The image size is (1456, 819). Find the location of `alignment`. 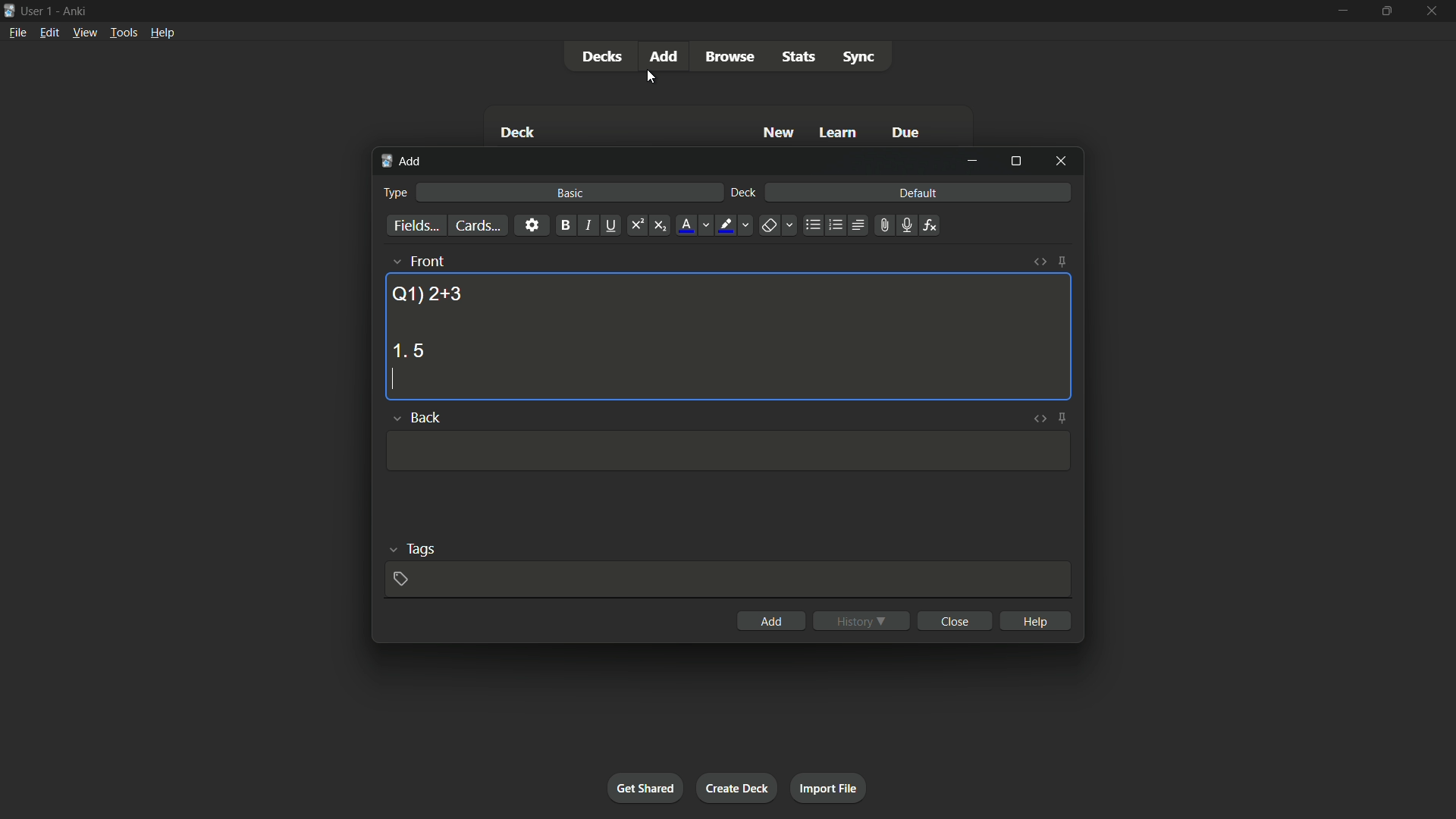

alignment is located at coordinates (857, 226).